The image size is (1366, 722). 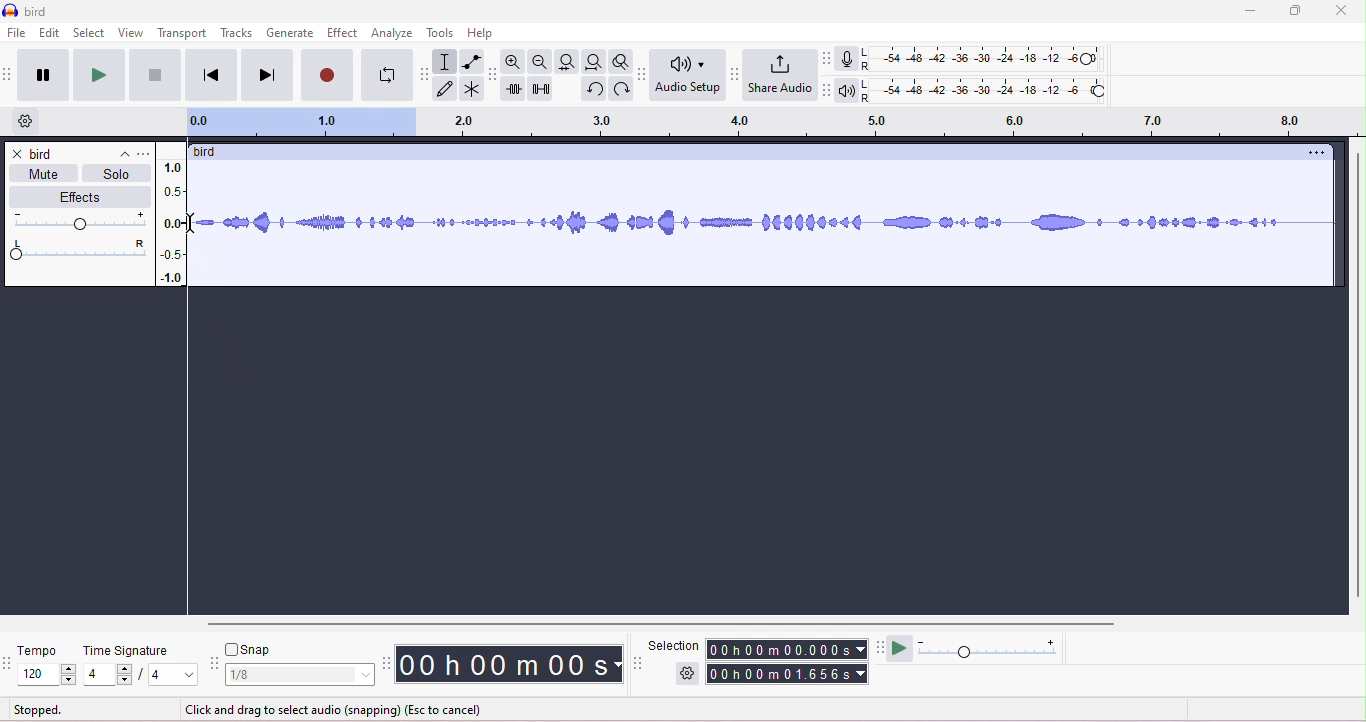 What do you see at coordinates (9, 72) in the screenshot?
I see `transport tool bar` at bounding box center [9, 72].